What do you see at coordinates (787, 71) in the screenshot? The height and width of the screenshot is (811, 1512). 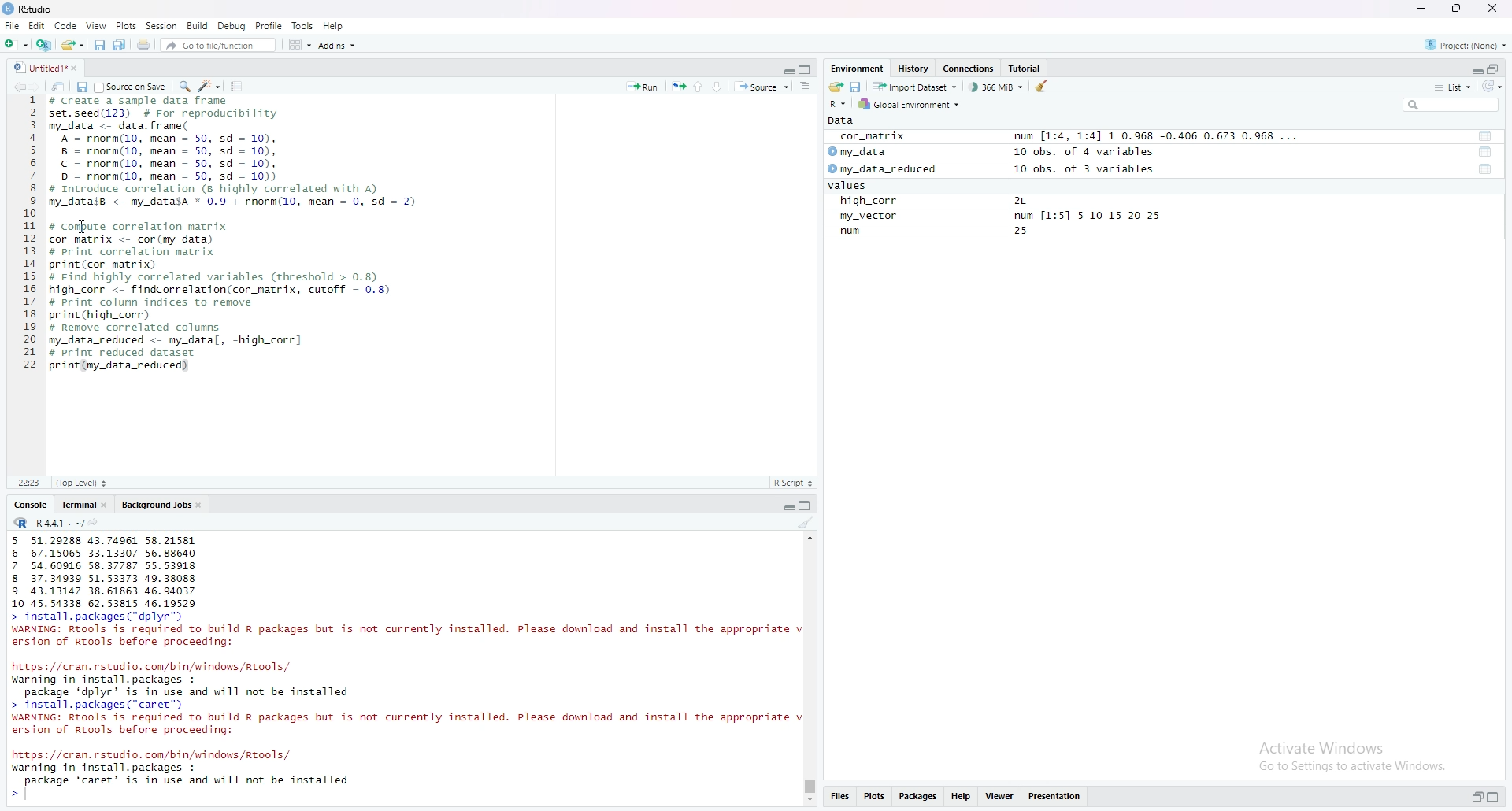 I see `Collapse` at bounding box center [787, 71].